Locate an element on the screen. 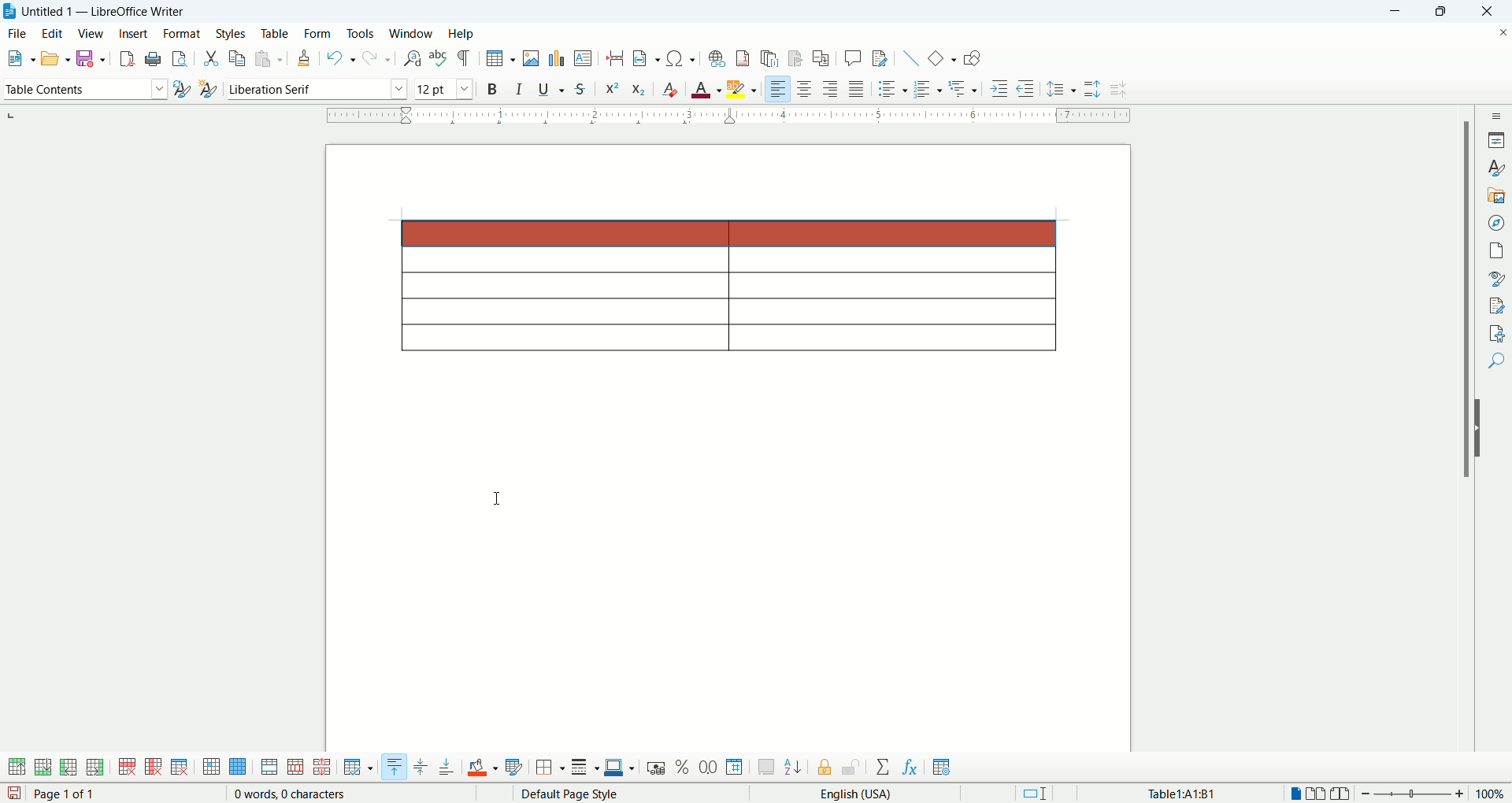 This screenshot has width=1512, height=803. page count is located at coordinates (69, 794).